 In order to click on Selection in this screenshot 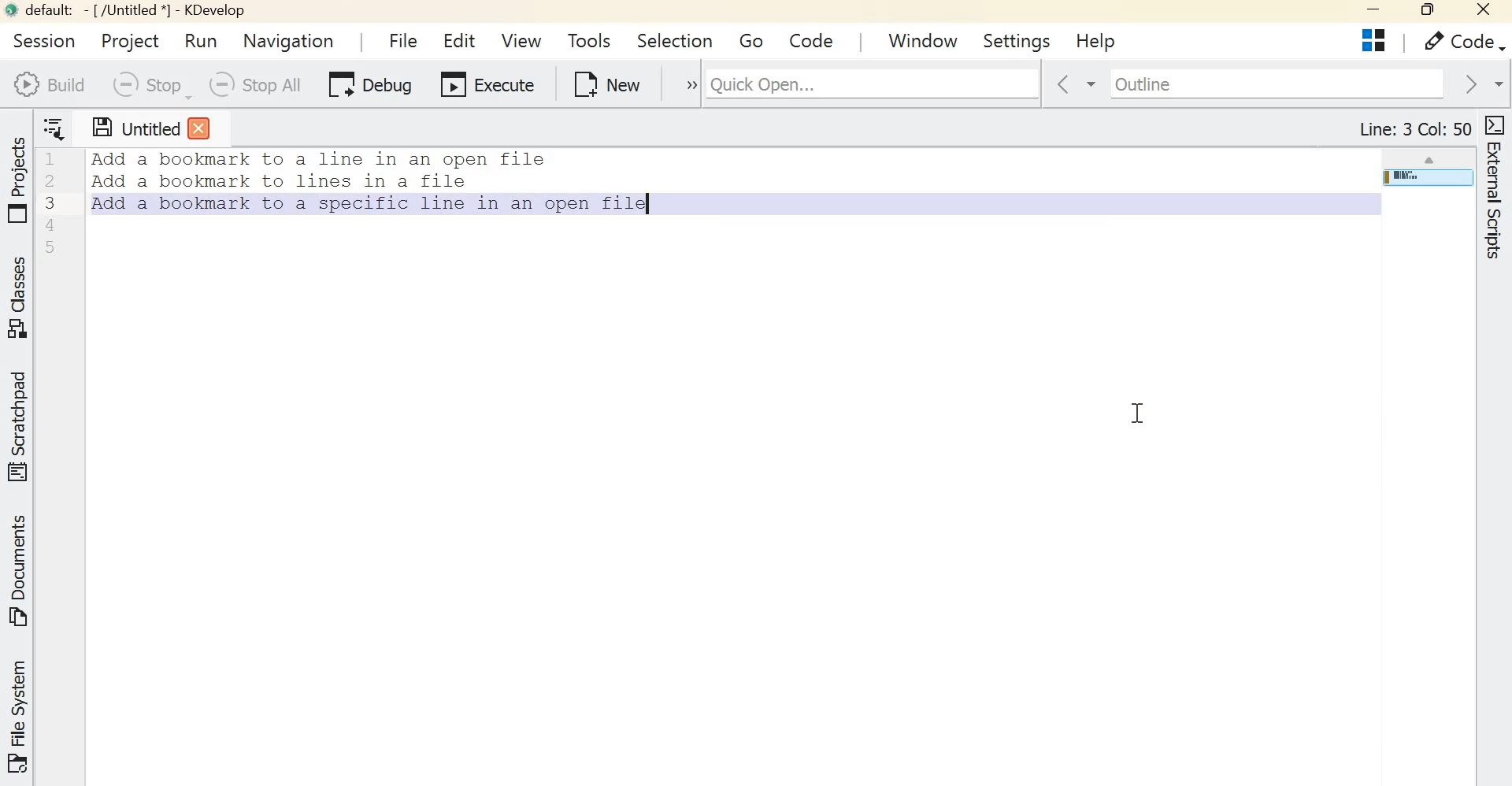, I will do `click(675, 39)`.